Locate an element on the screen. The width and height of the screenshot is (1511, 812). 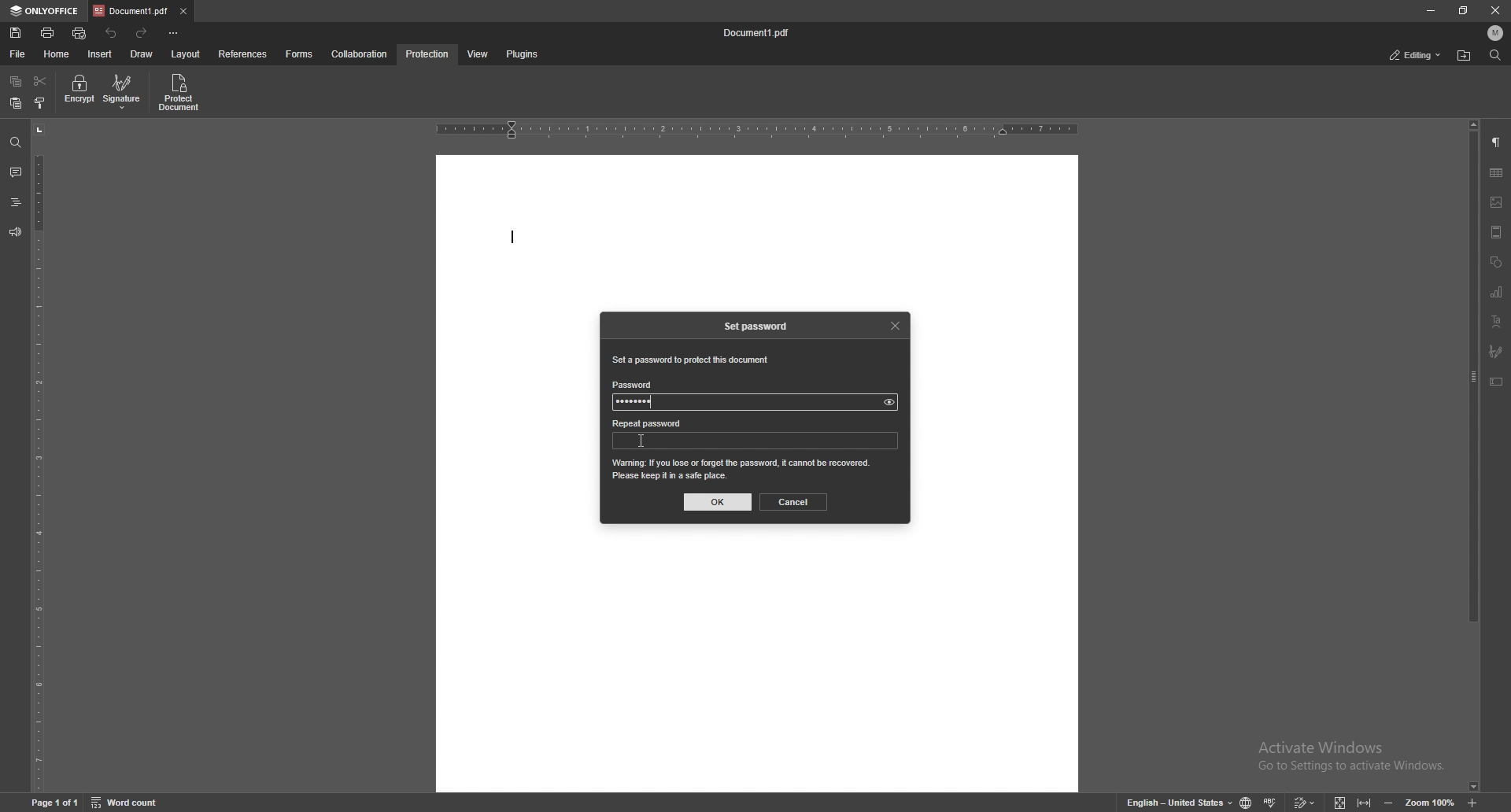
home is located at coordinates (56, 54).